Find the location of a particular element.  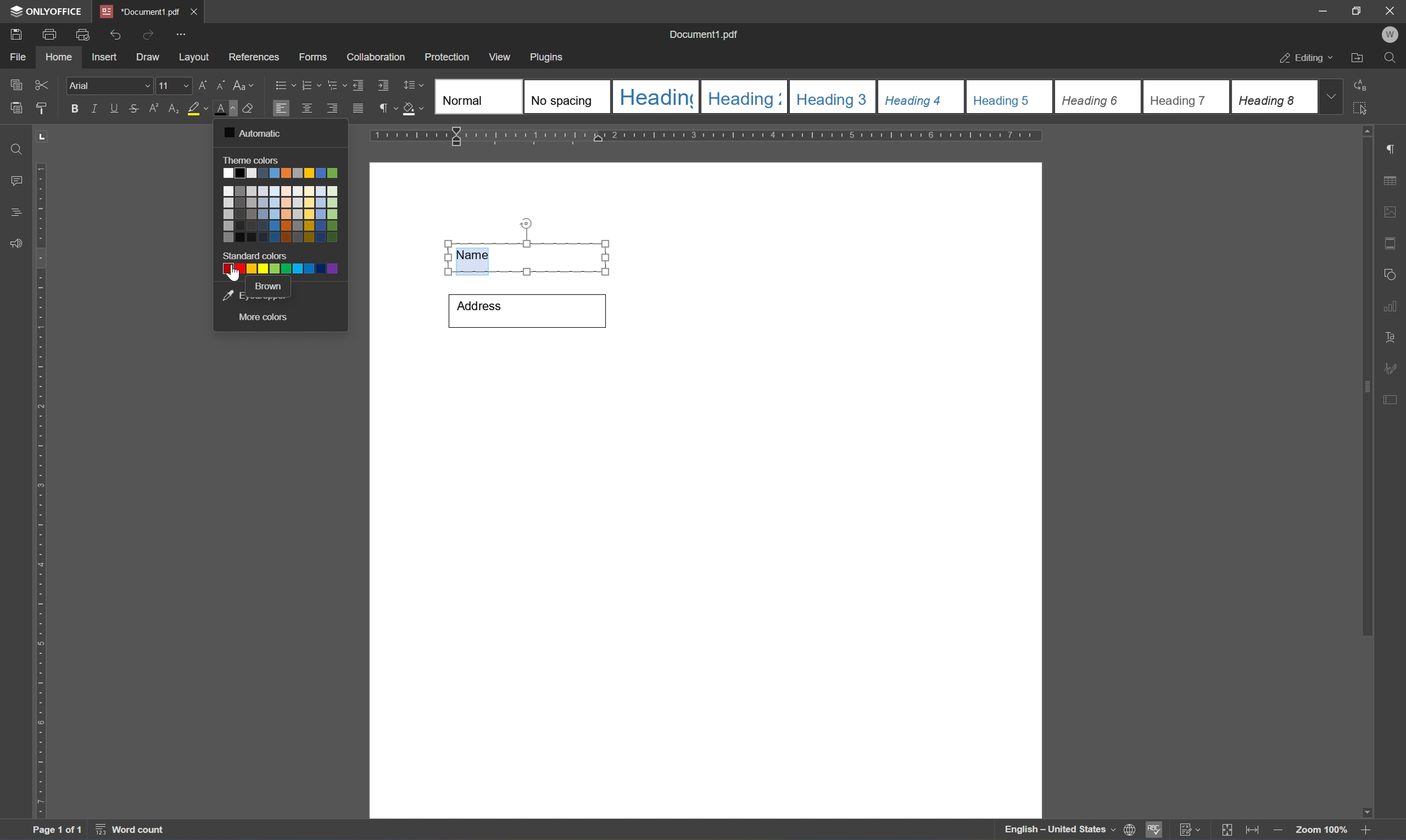

multilevel list is located at coordinates (335, 85).